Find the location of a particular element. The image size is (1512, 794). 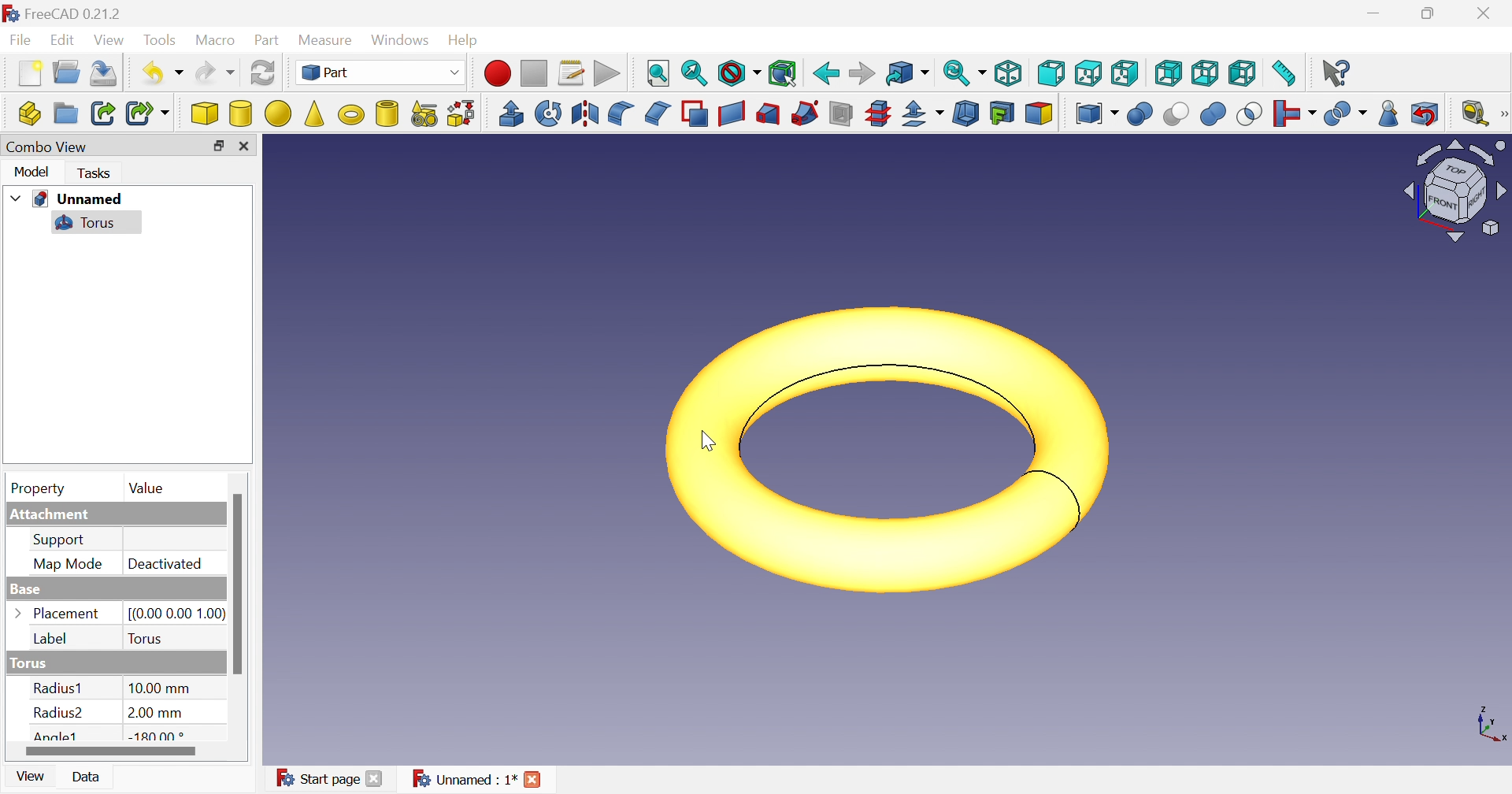

Torus is located at coordinates (83, 223).